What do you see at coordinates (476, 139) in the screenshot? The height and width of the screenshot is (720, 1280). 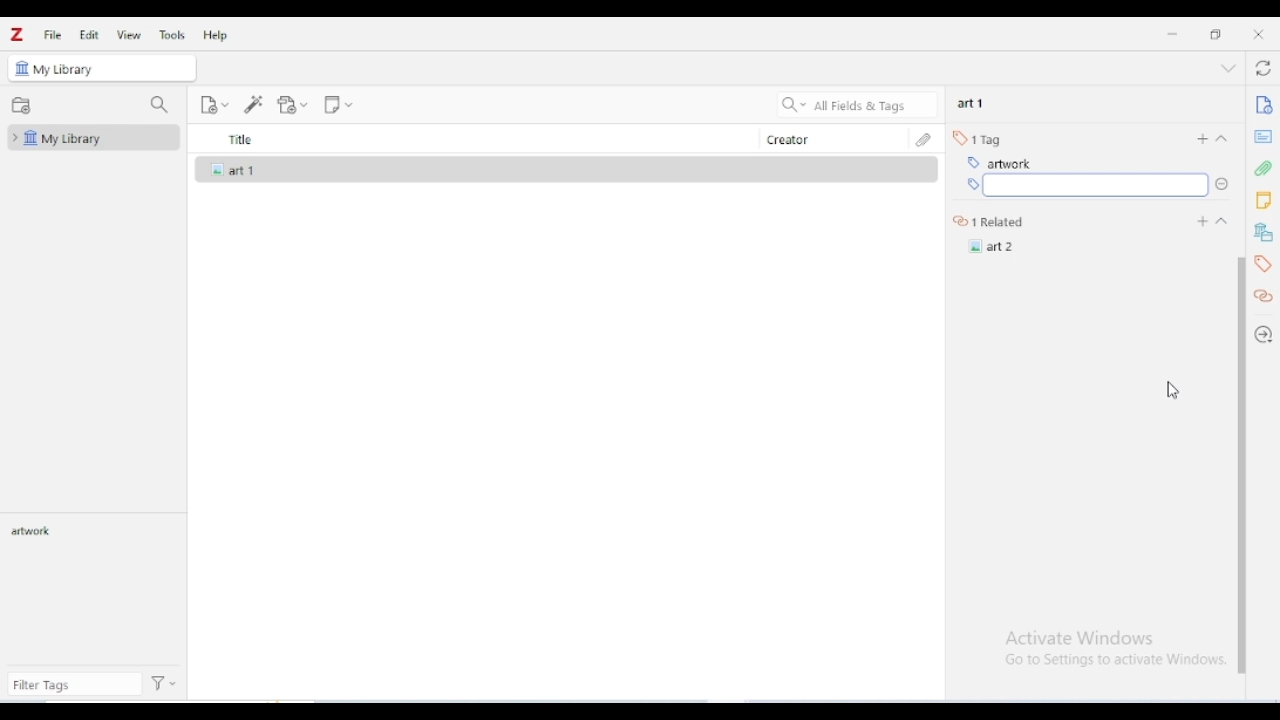 I see `title` at bounding box center [476, 139].